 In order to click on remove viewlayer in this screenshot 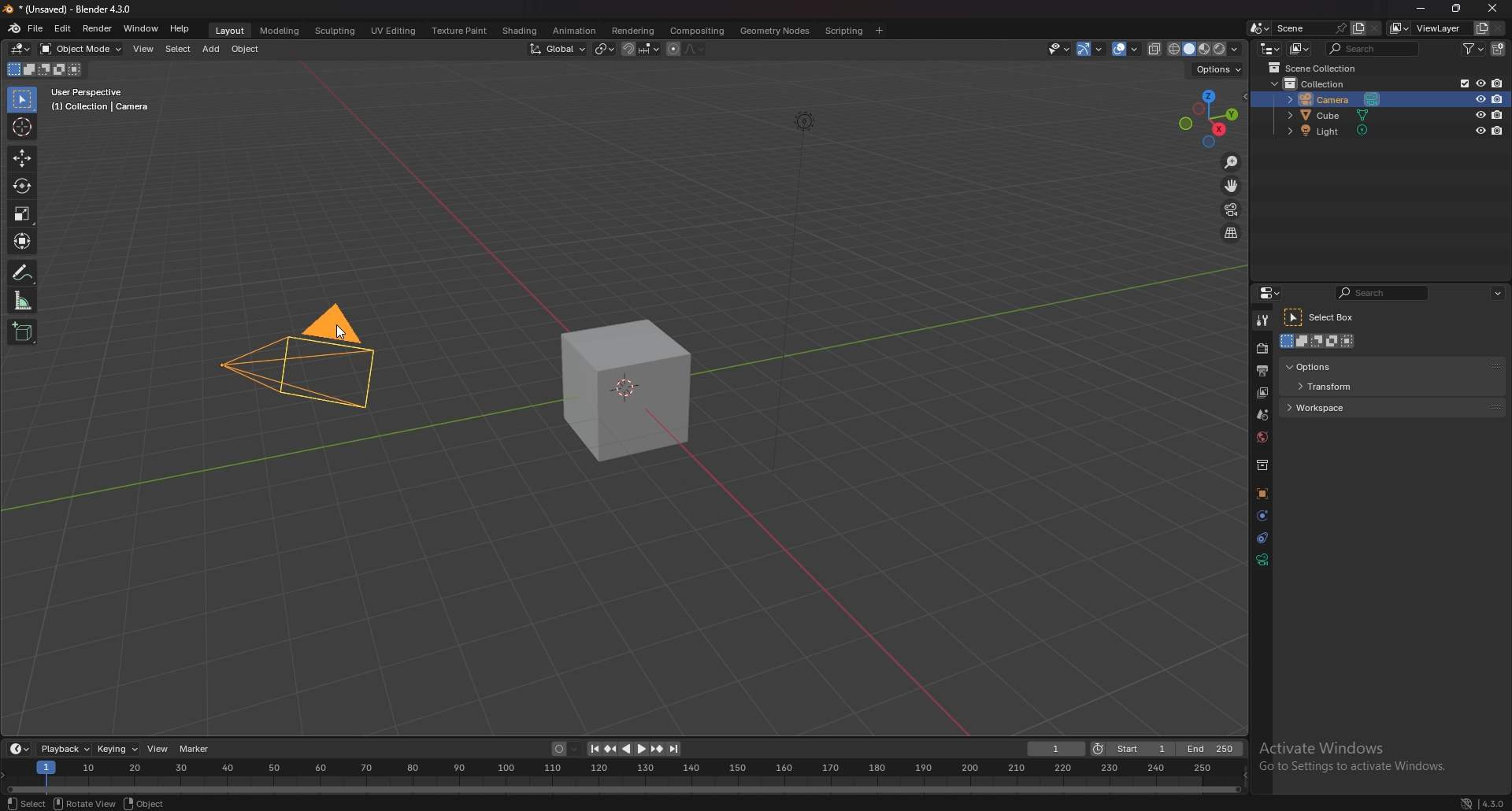, I will do `click(1499, 28)`.